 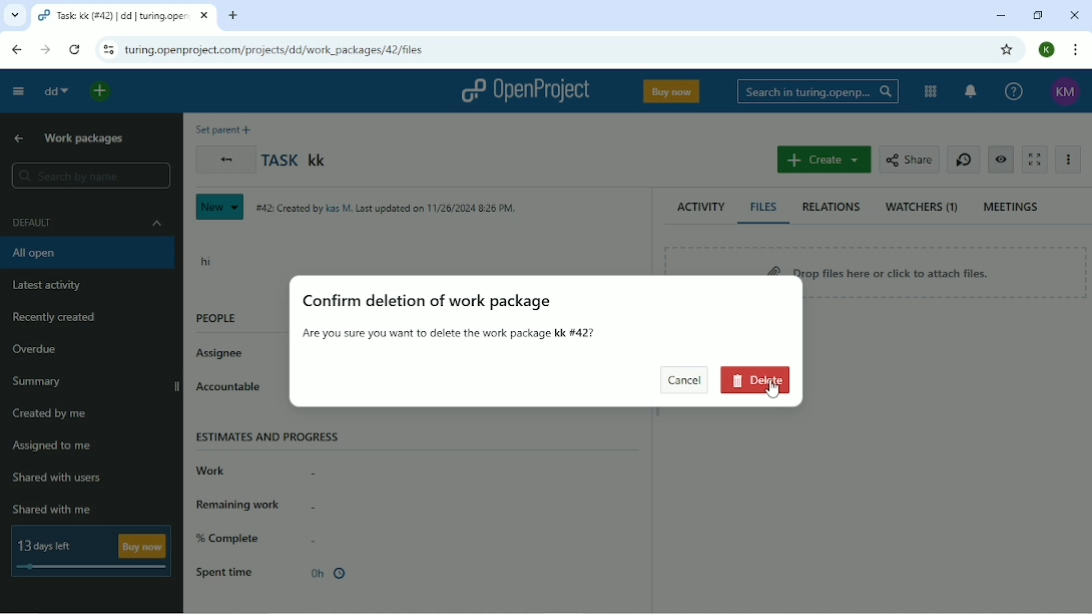 I want to click on Delete, so click(x=758, y=382).